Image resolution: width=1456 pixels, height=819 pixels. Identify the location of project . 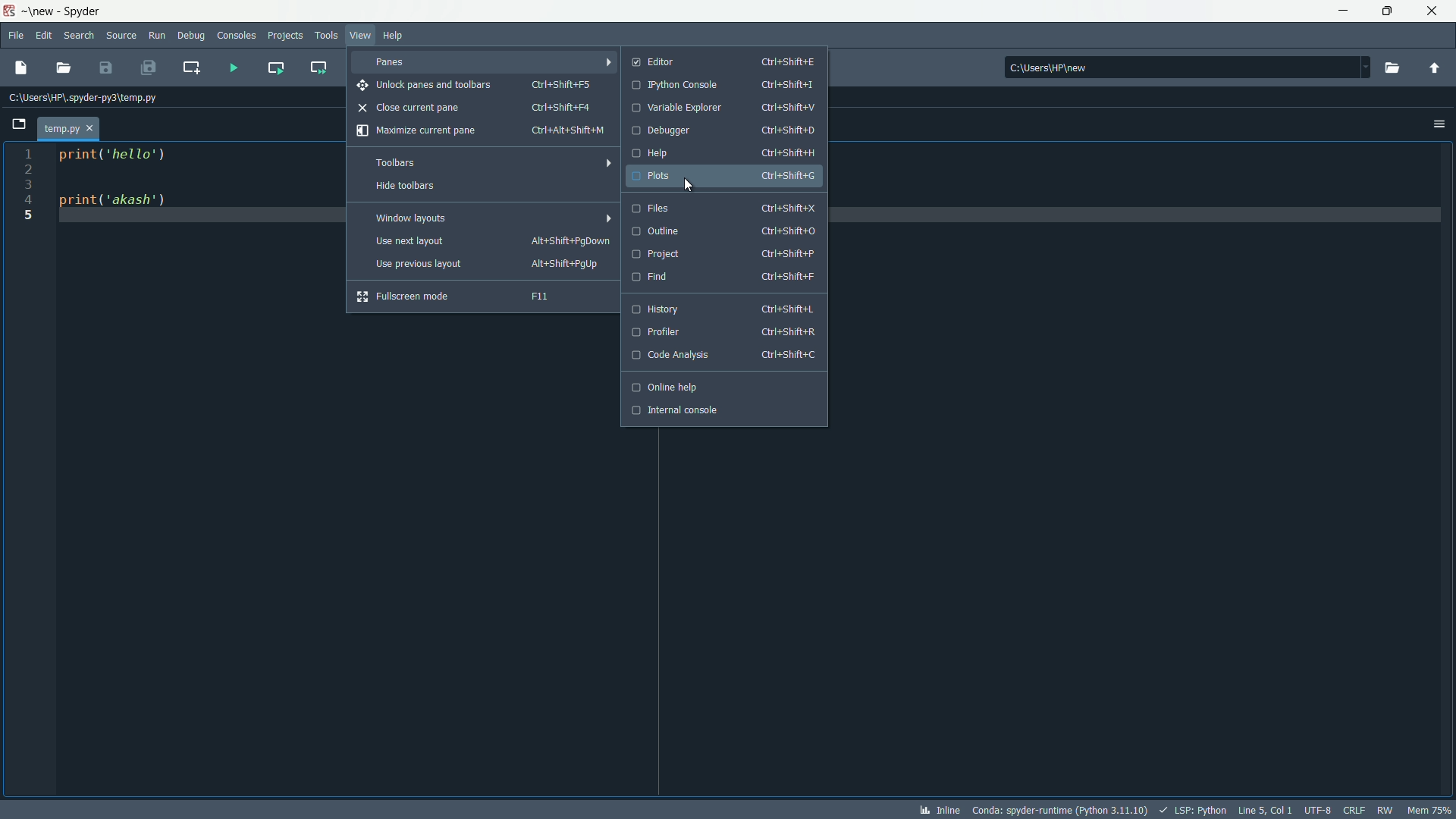
(724, 253).